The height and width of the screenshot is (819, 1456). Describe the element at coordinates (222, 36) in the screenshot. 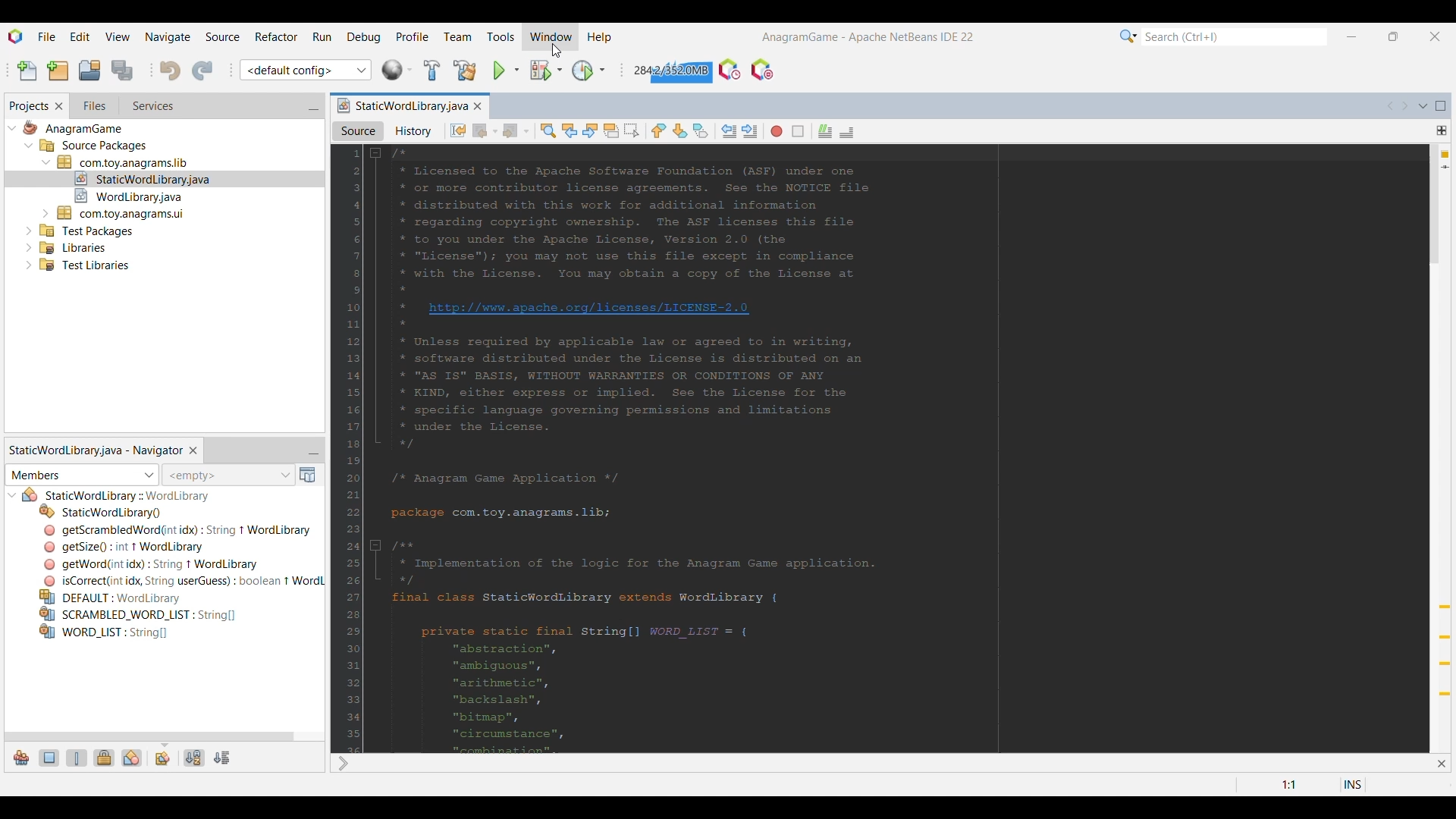

I see `Source menu` at that location.